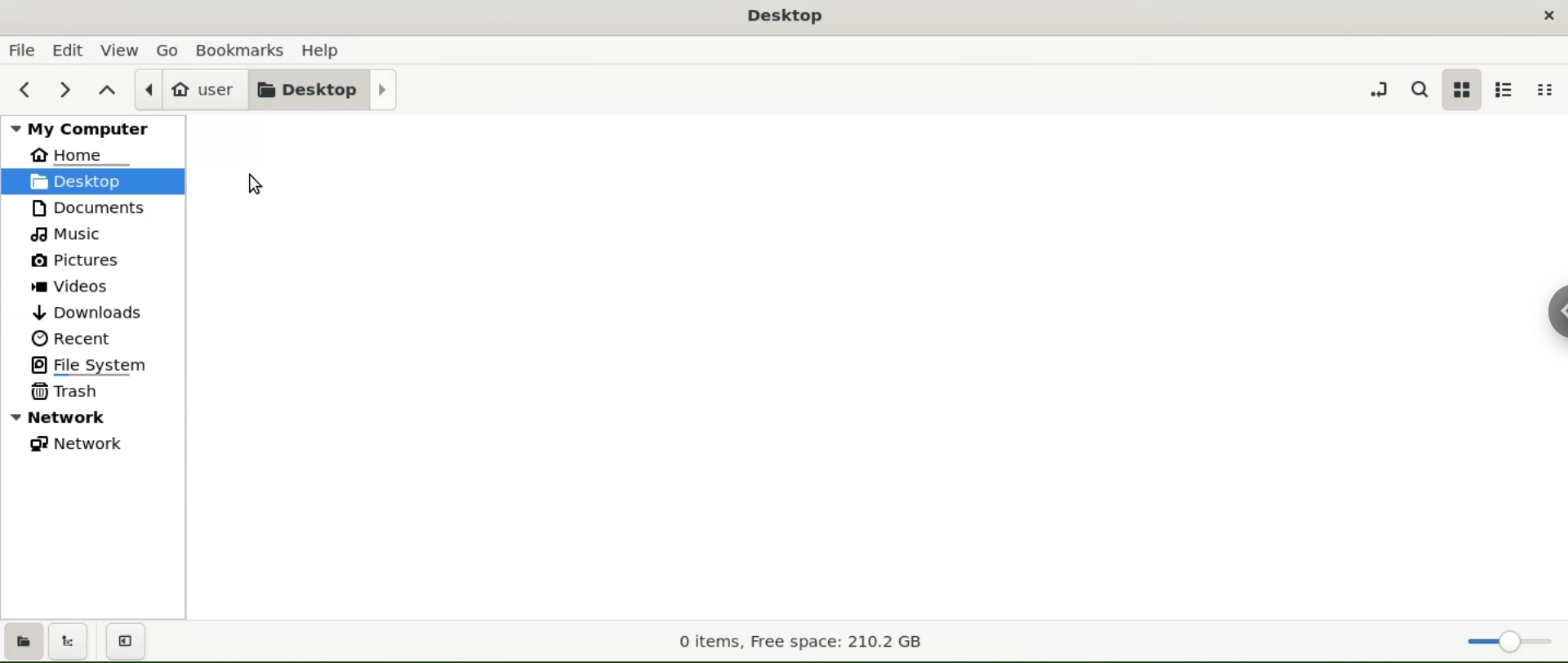 The image size is (1568, 663). I want to click on storage, so click(800, 643).